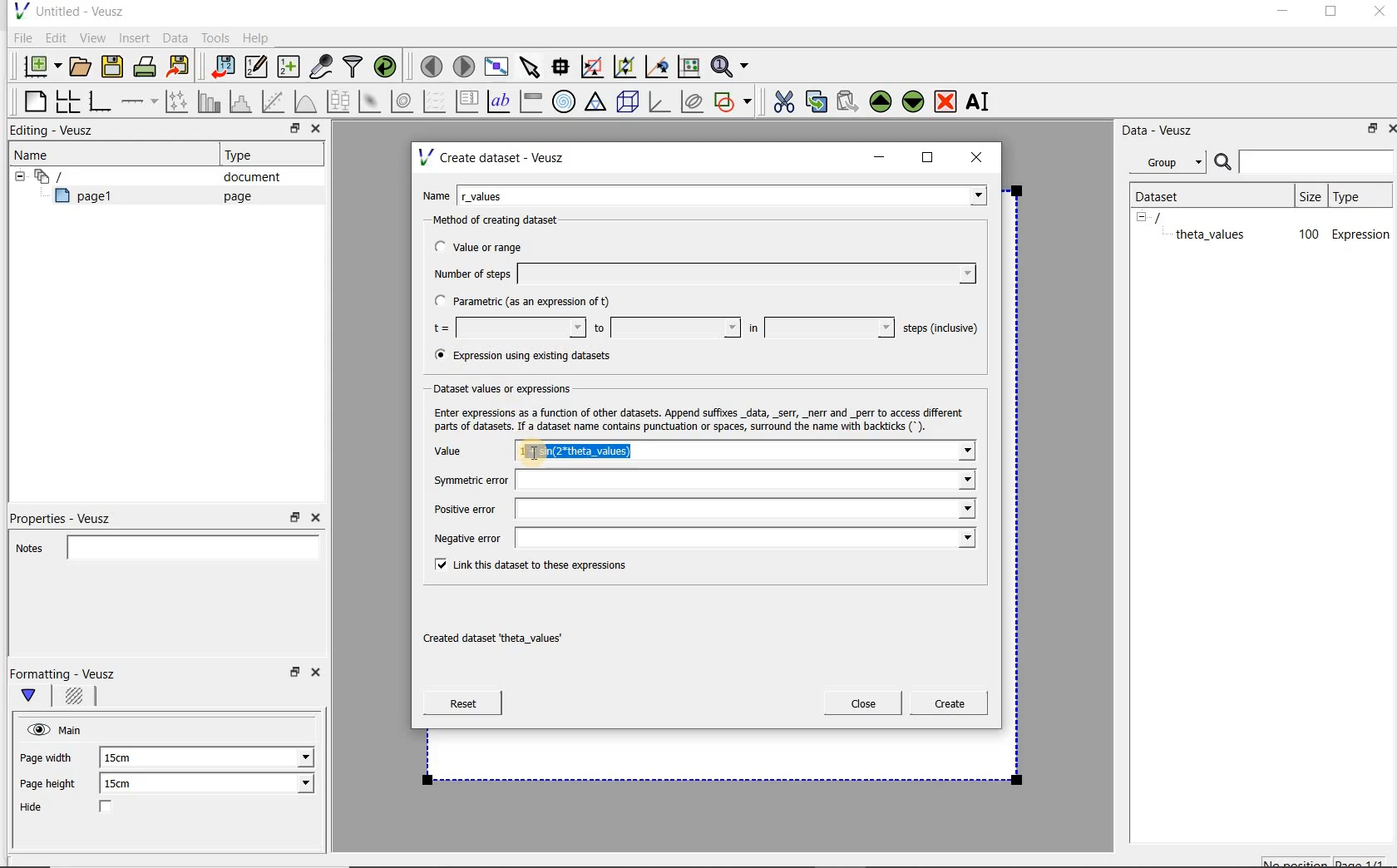  I want to click on click or draw a rectangle to zoom graph axes, so click(595, 67).